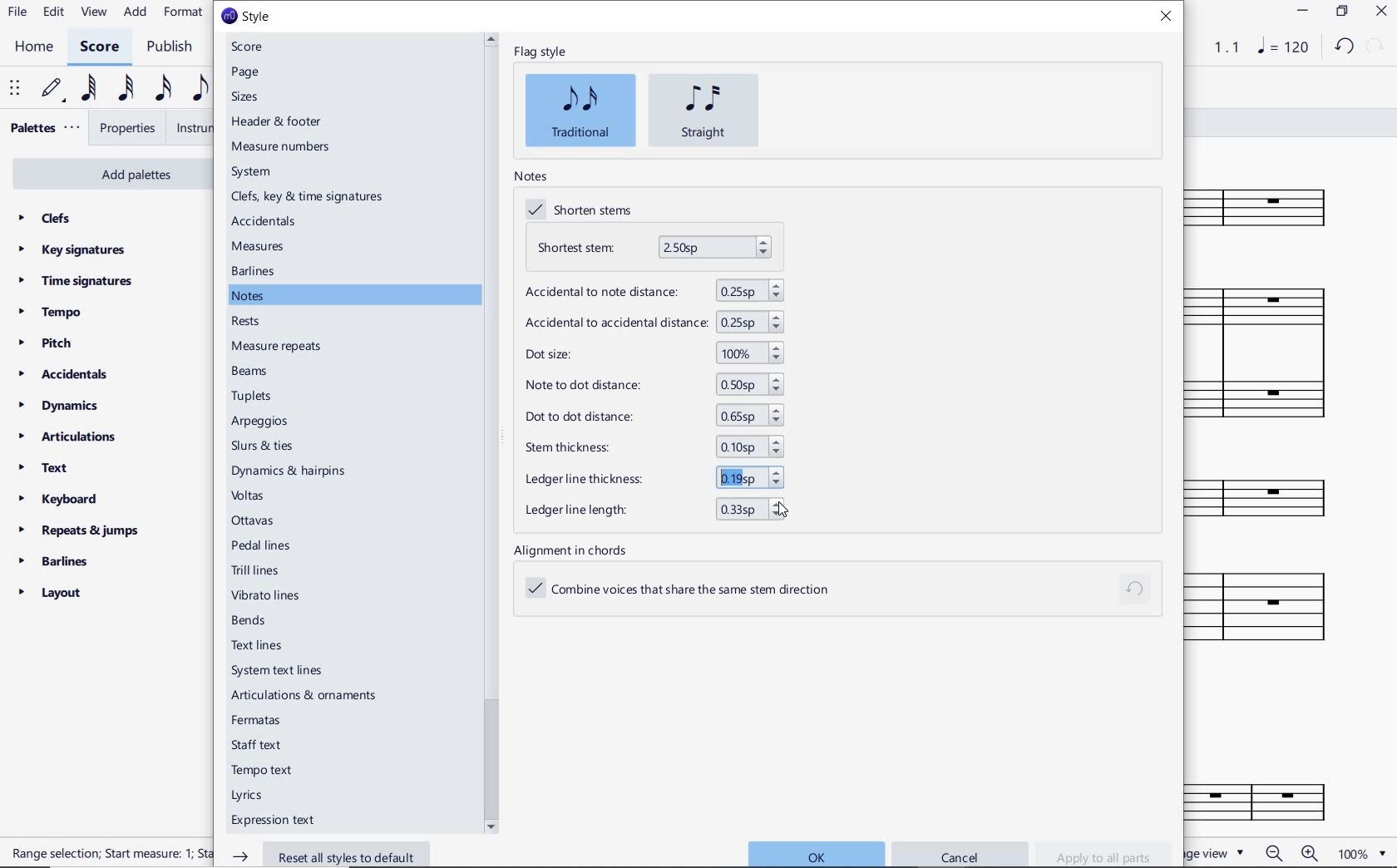 Image resolution: width=1397 pixels, height=868 pixels. I want to click on apply to all parts, so click(1103, 853).